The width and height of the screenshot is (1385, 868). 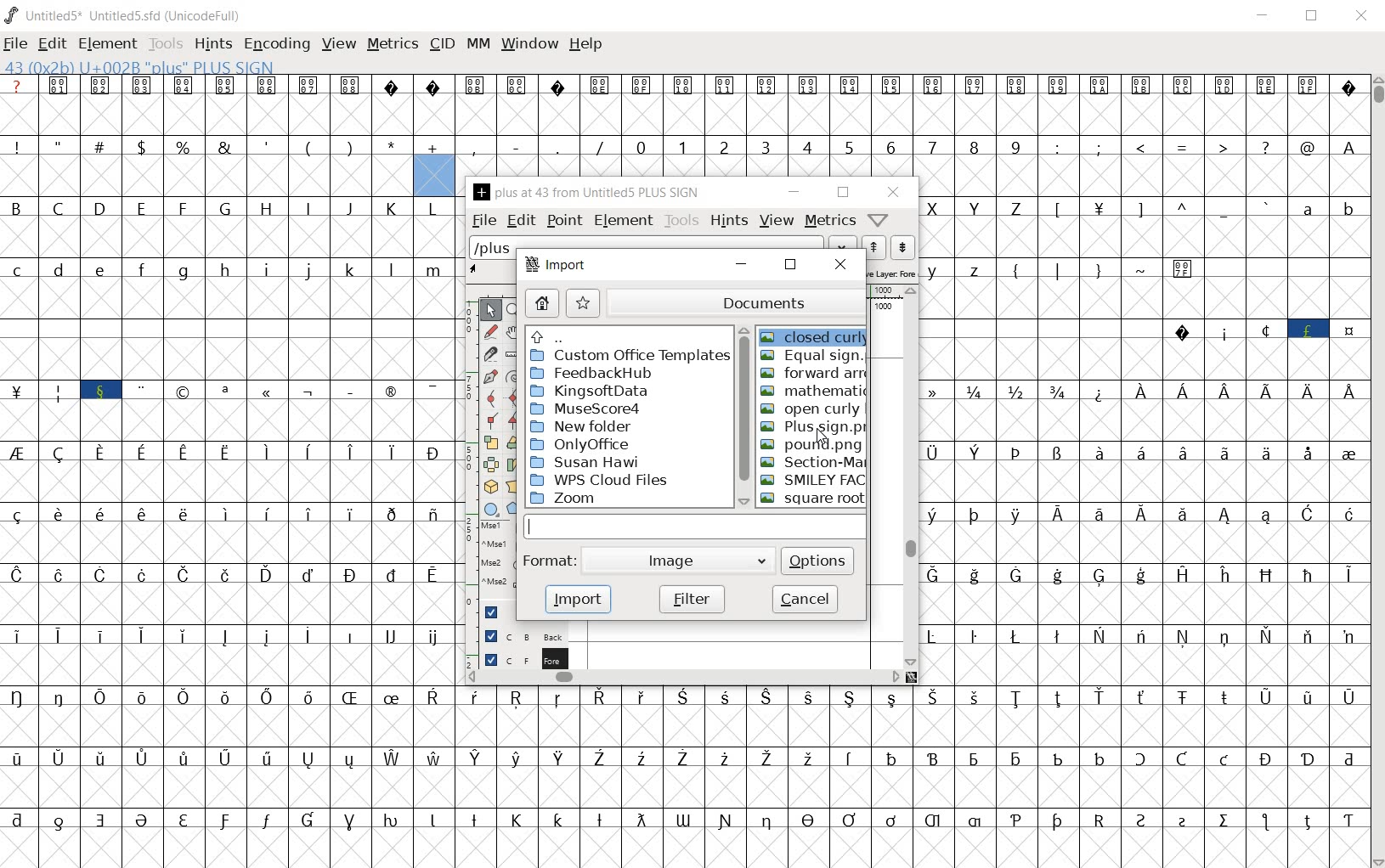 I want to click on scrollbar, so click(x=1377, y=470).